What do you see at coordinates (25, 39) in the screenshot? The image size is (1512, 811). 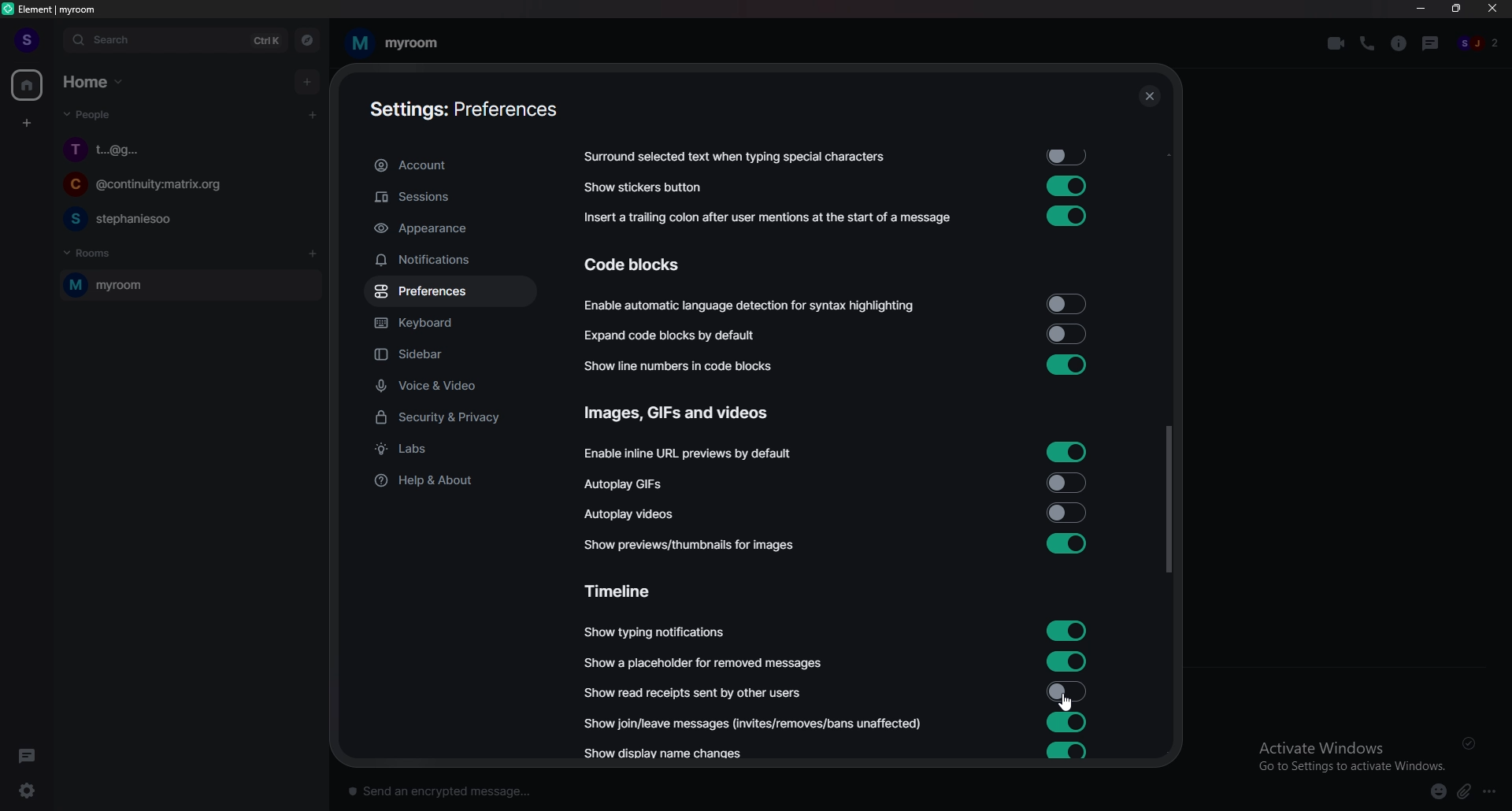 I see `profile` at bounding box center [25, 39].